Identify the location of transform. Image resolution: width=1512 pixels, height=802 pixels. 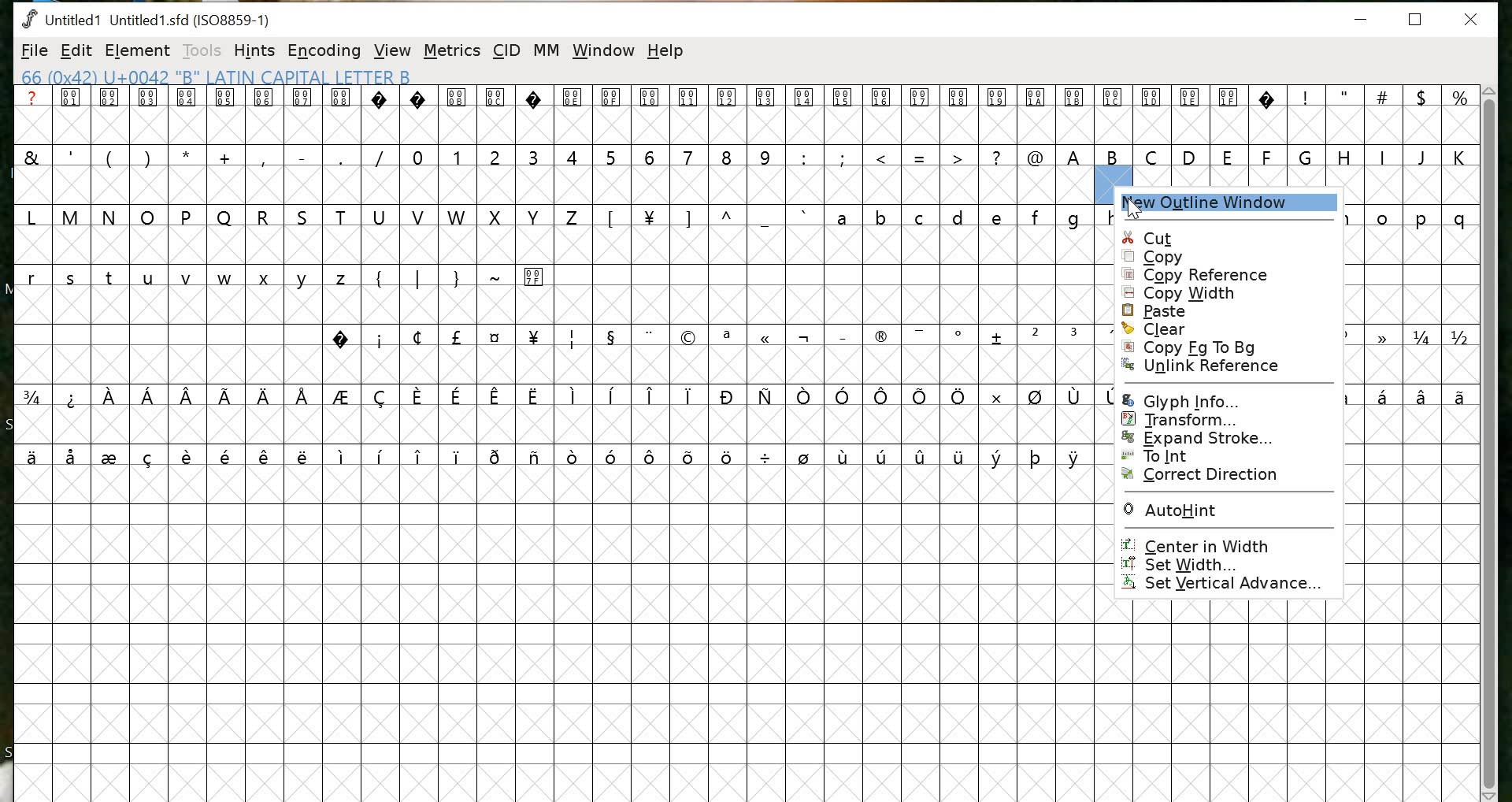
(1225, 421).